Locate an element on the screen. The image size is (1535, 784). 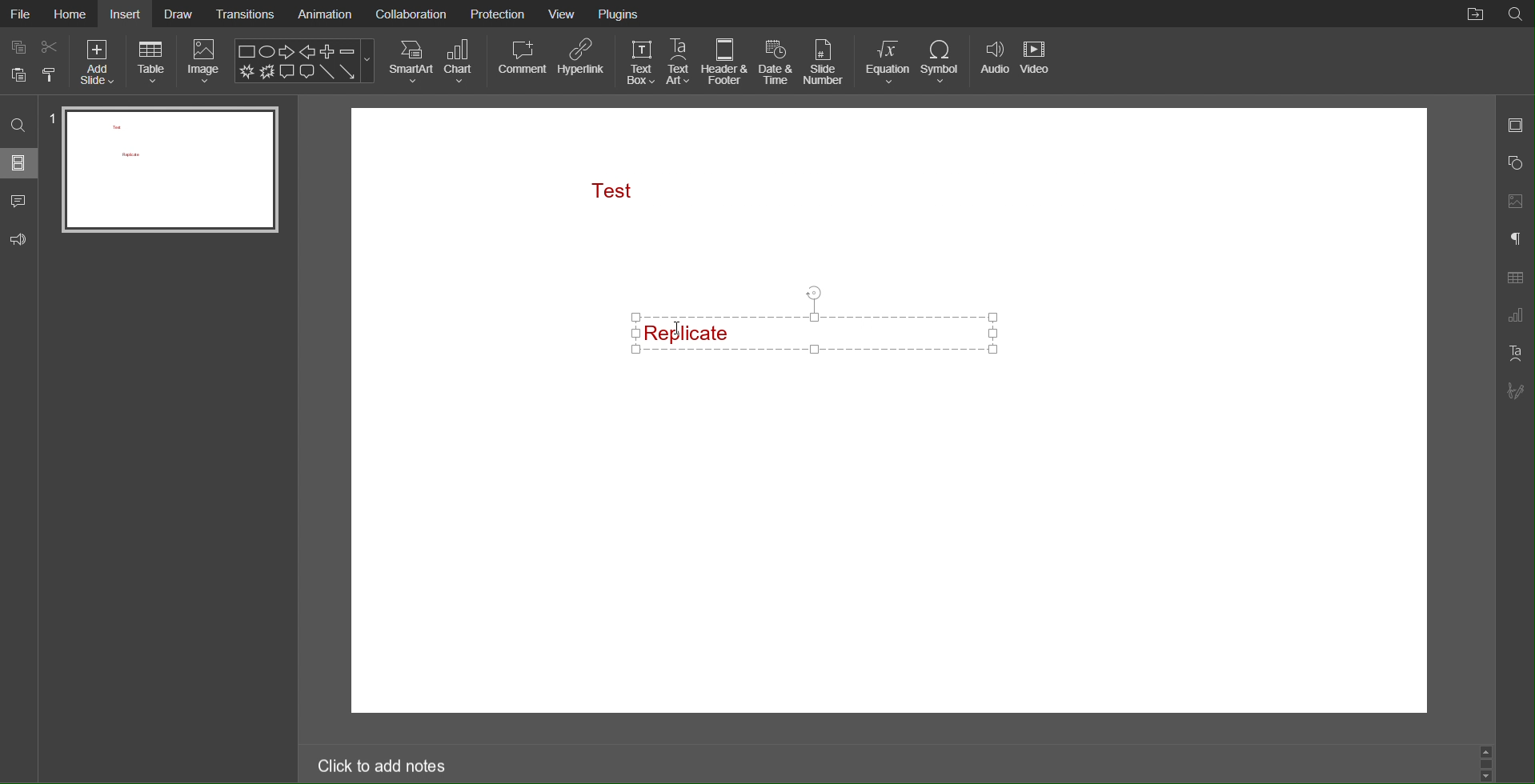
Feedback is located at coordinates (21, 241).